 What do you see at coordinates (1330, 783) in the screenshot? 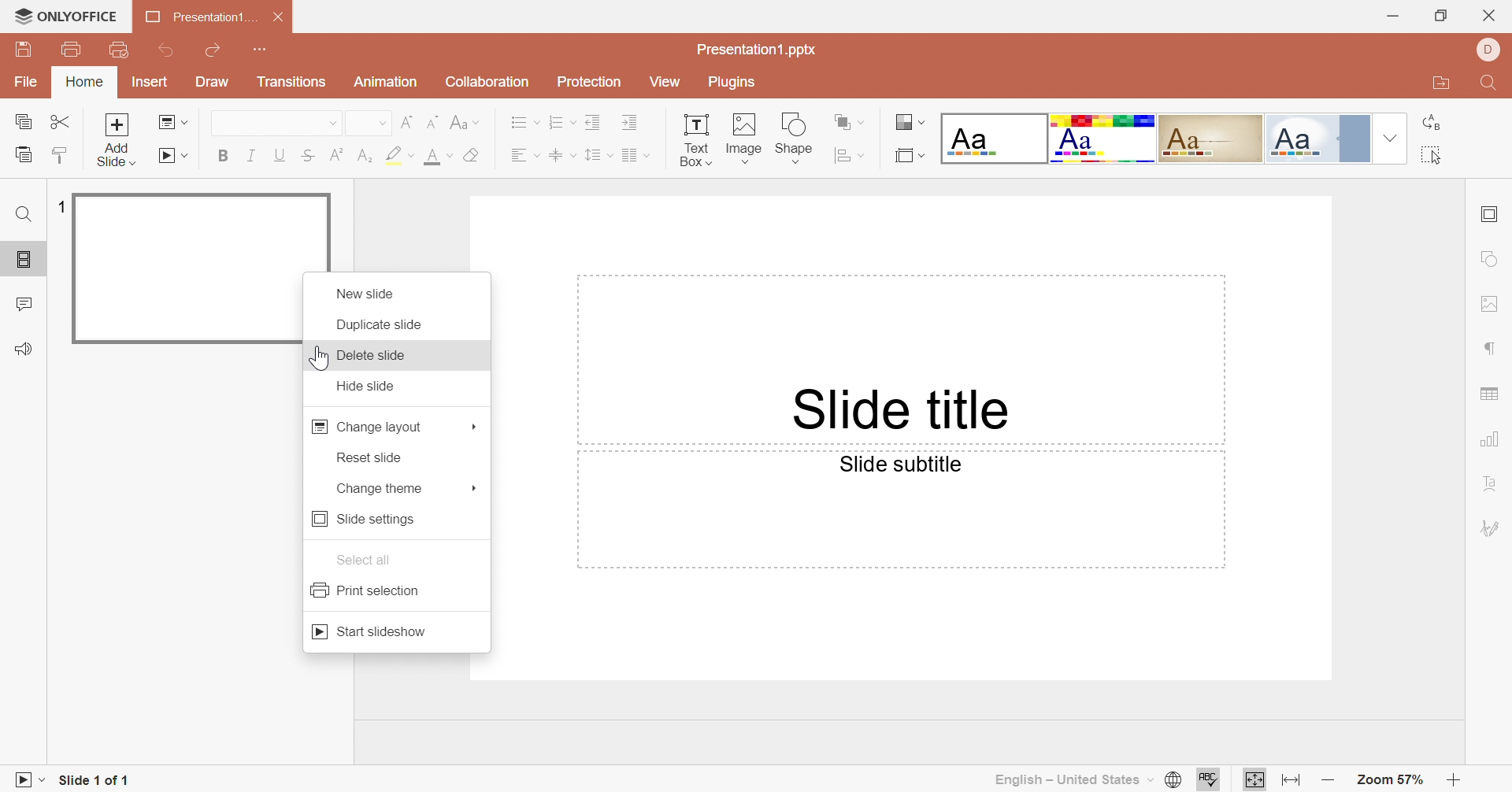
I see `Zoom out` at bounding box center [1330, 783].